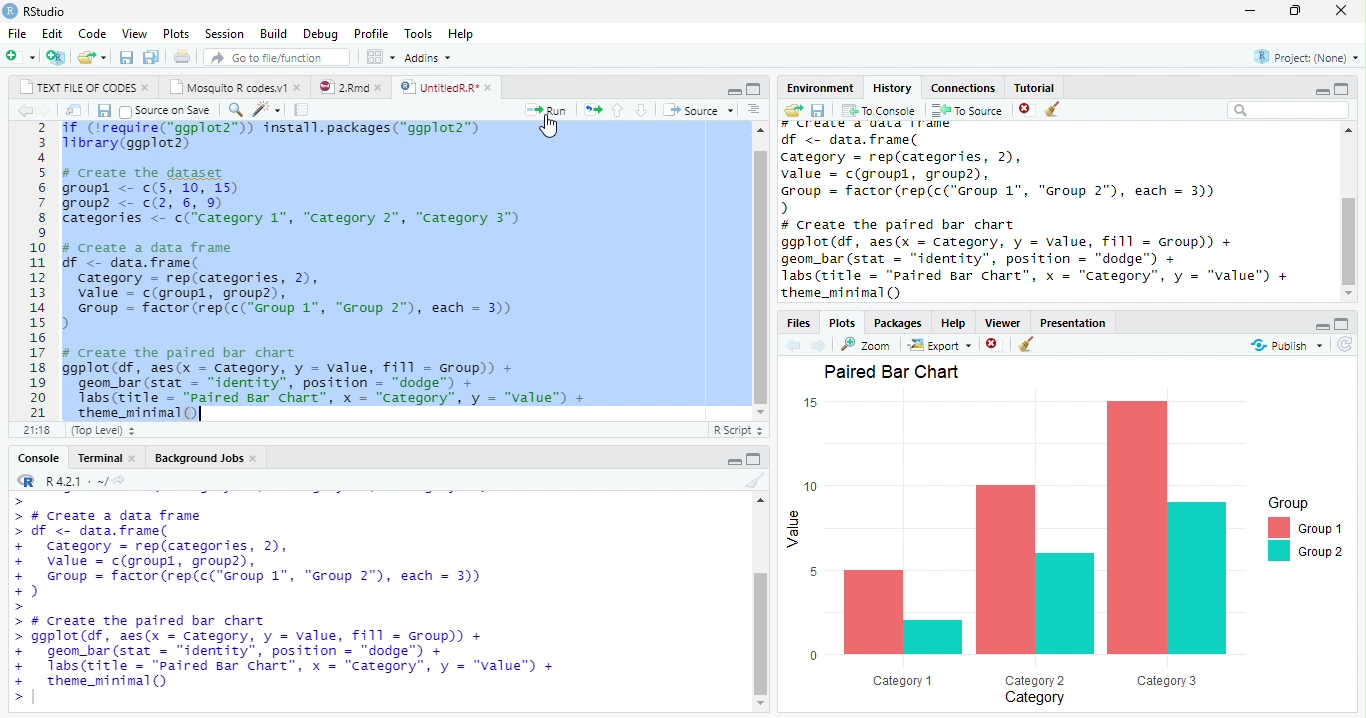  Describe the element at coordinates (78, 88) in the screenshot. I see `text file of codes` at that location.